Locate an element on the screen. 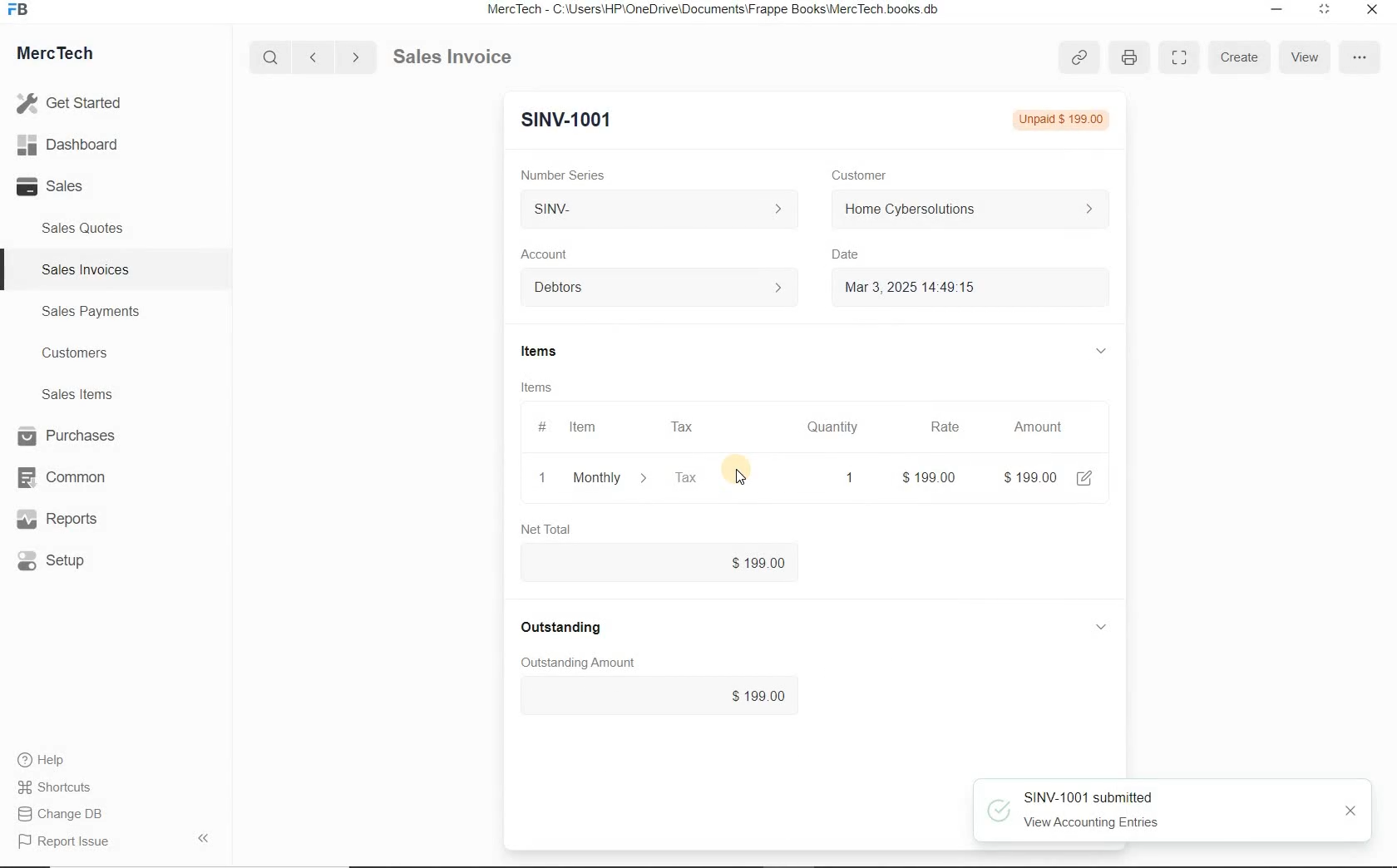 This screenshot has height=868, width=1397. Customers is located at coordinates (90, 353).